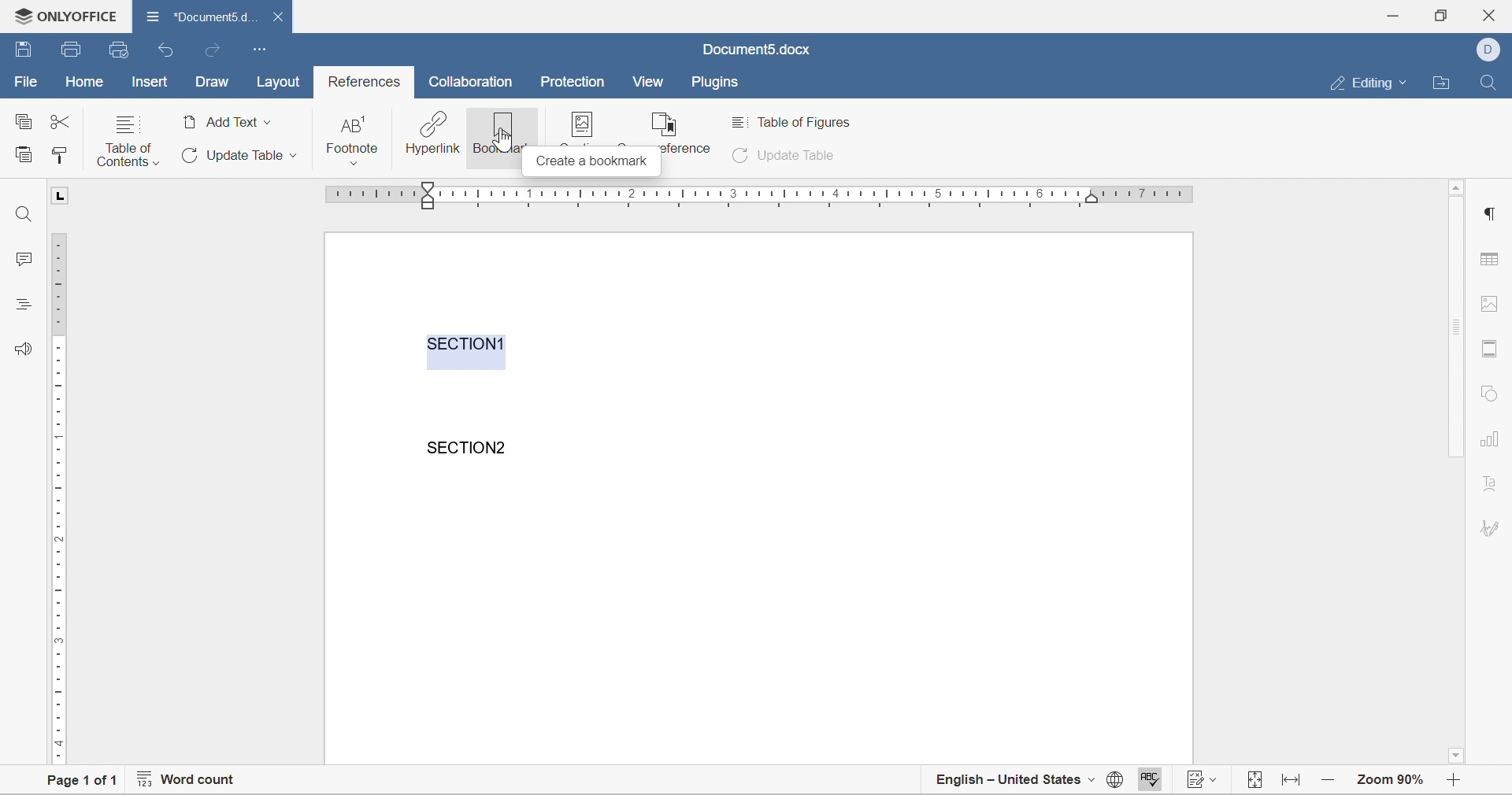 This screenshot has height=795, width=1512. What do you see at coordinates (796, 122) in the screenshot?
I see `table of figures` at bounding box center [796, 122].